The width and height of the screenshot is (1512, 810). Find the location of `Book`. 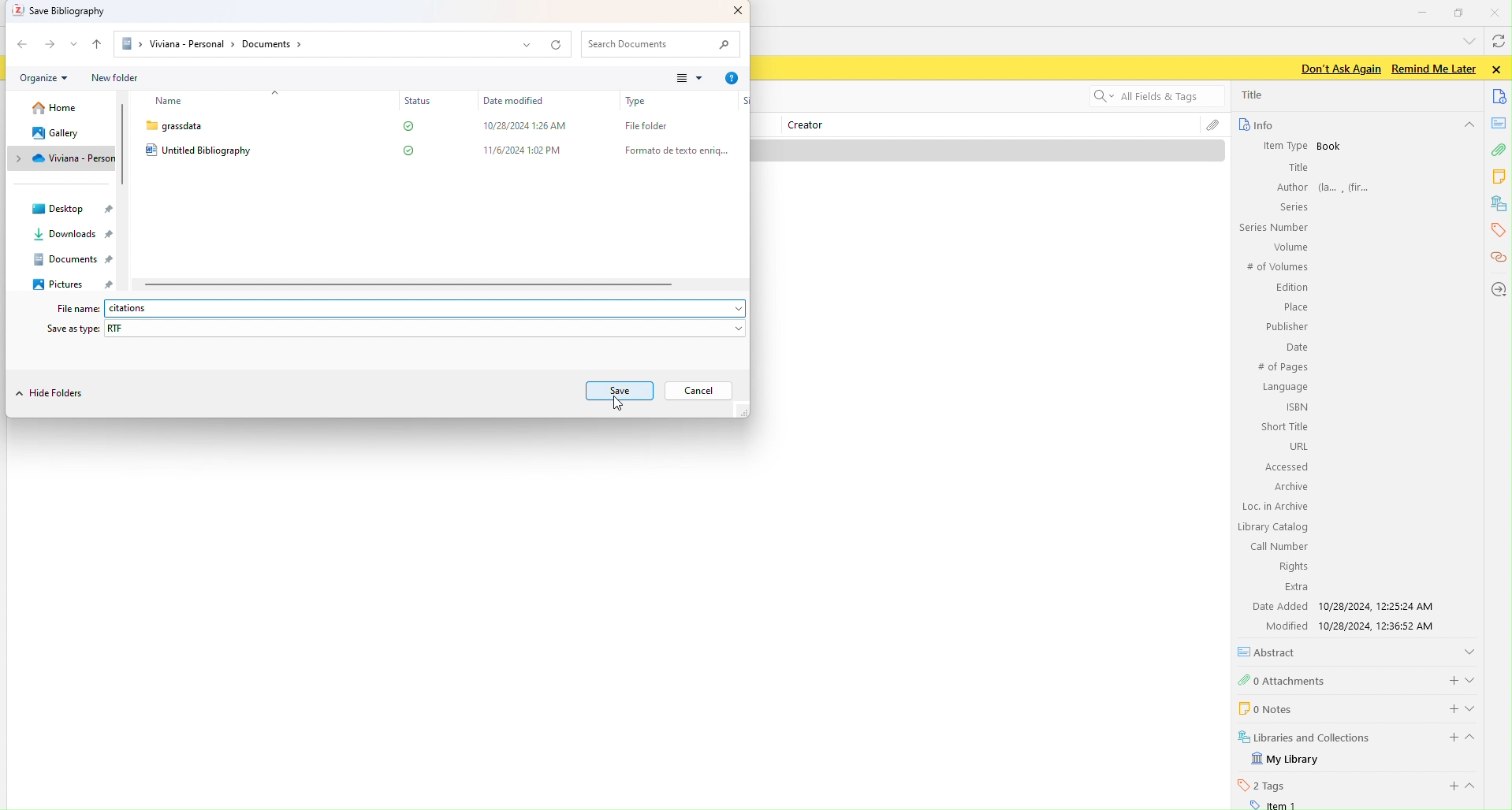

Book is located at coordinates (1330, 147).